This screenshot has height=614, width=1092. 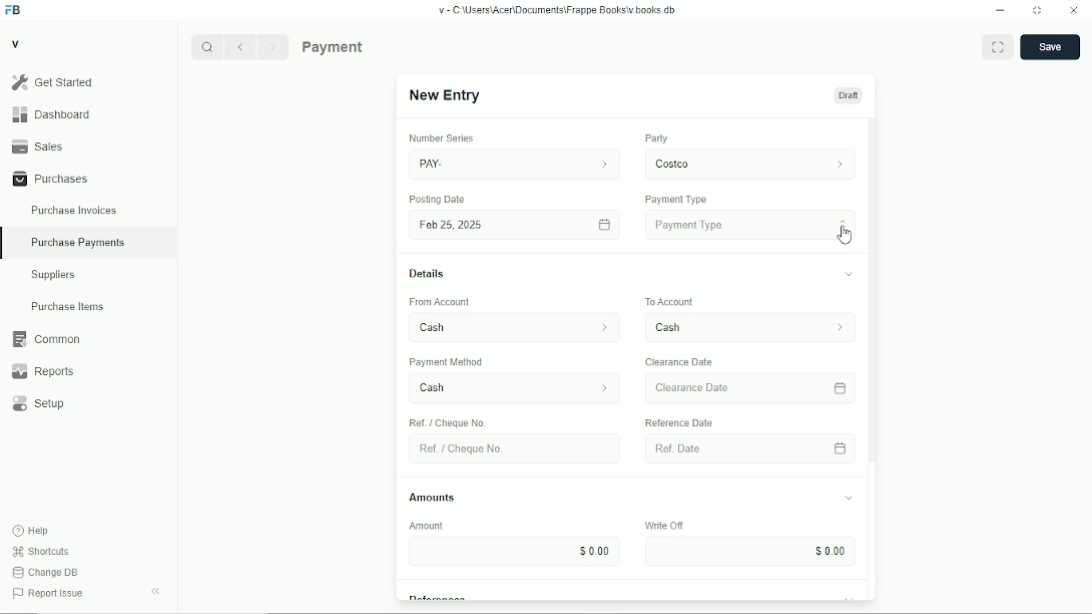 I want to click on Setup, so click(x=89, y=403).